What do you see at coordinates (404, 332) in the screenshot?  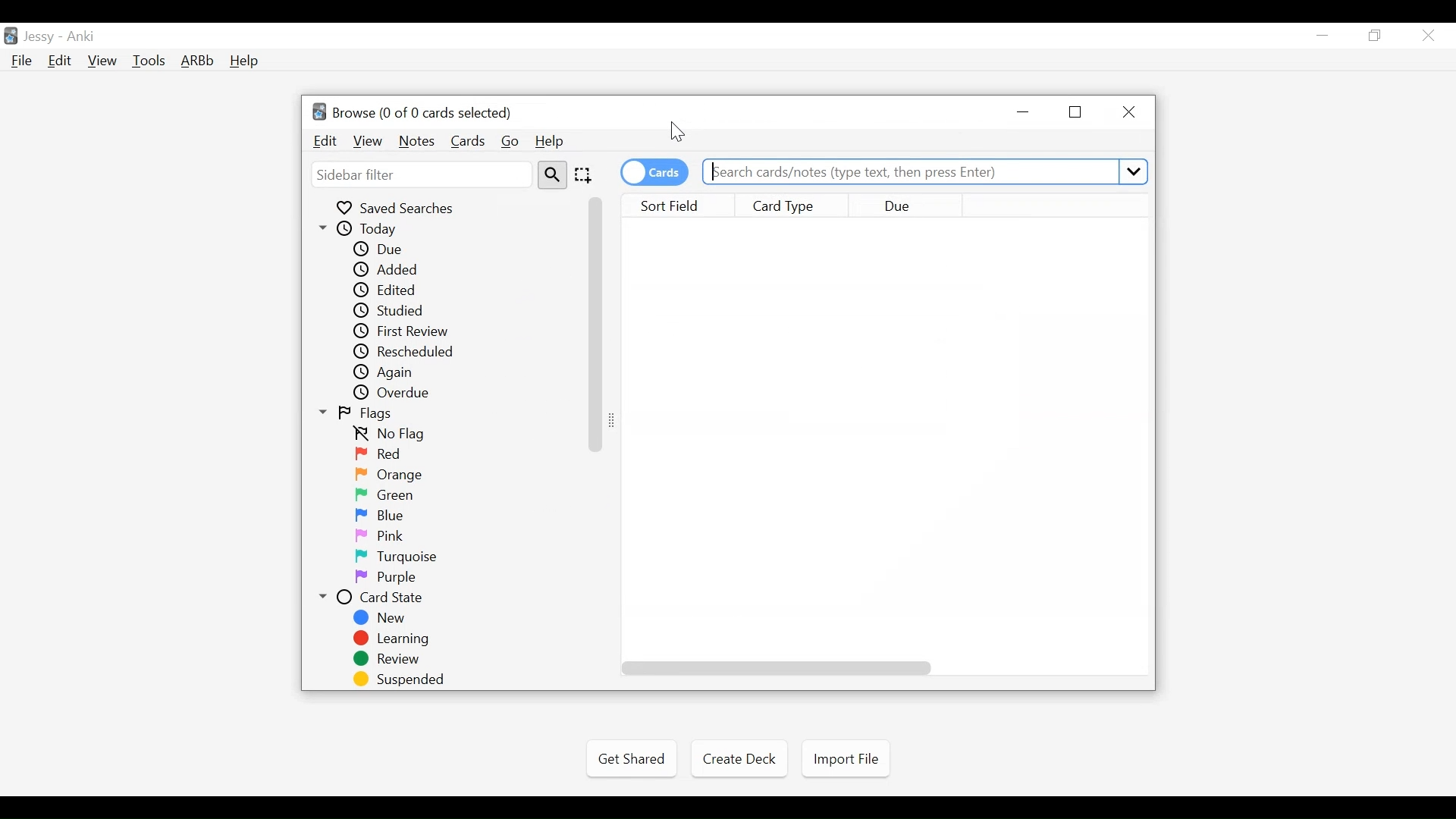 I see `First Review` at bounding box center [404, 332].